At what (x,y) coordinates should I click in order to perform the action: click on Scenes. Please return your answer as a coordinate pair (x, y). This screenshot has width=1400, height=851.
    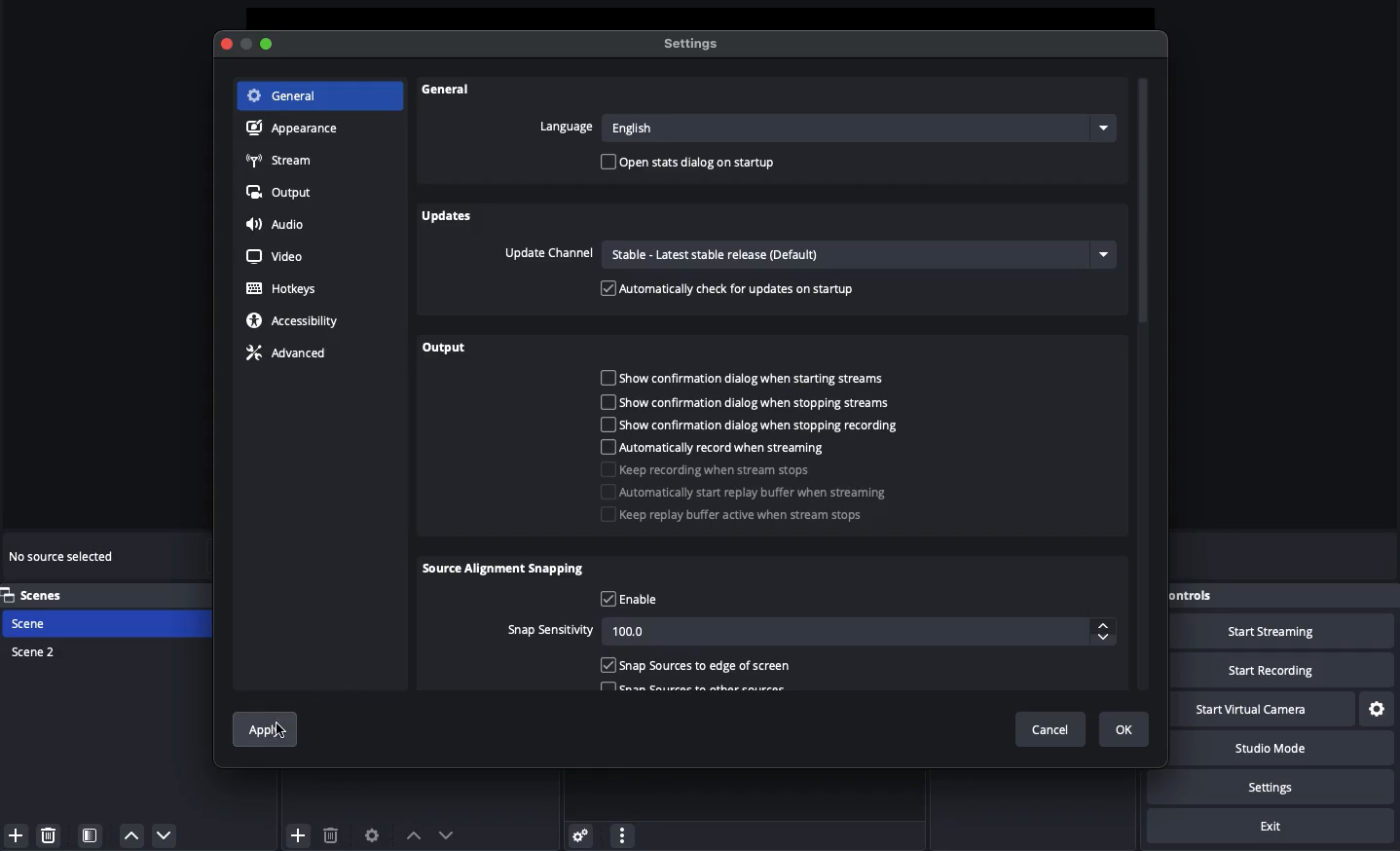
    Looking at the image, I should click on (44, 595).